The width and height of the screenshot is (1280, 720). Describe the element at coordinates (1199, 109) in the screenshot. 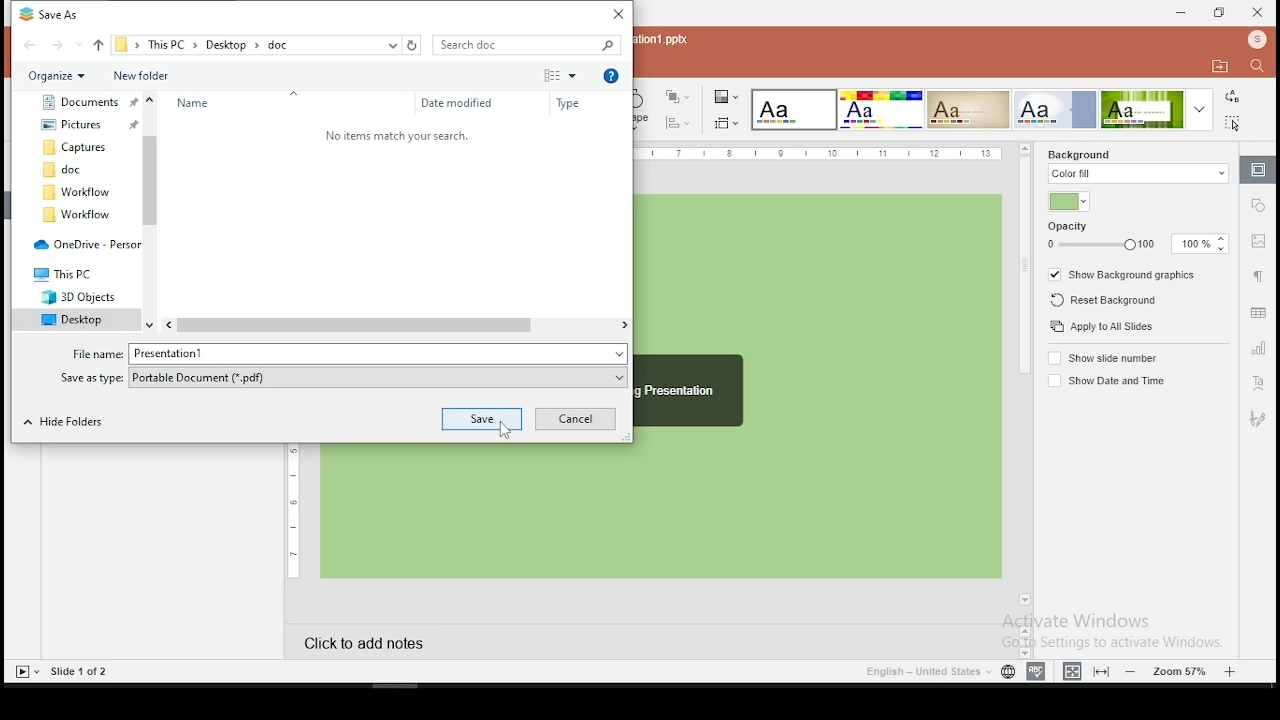

I see `more color theme` at that location.